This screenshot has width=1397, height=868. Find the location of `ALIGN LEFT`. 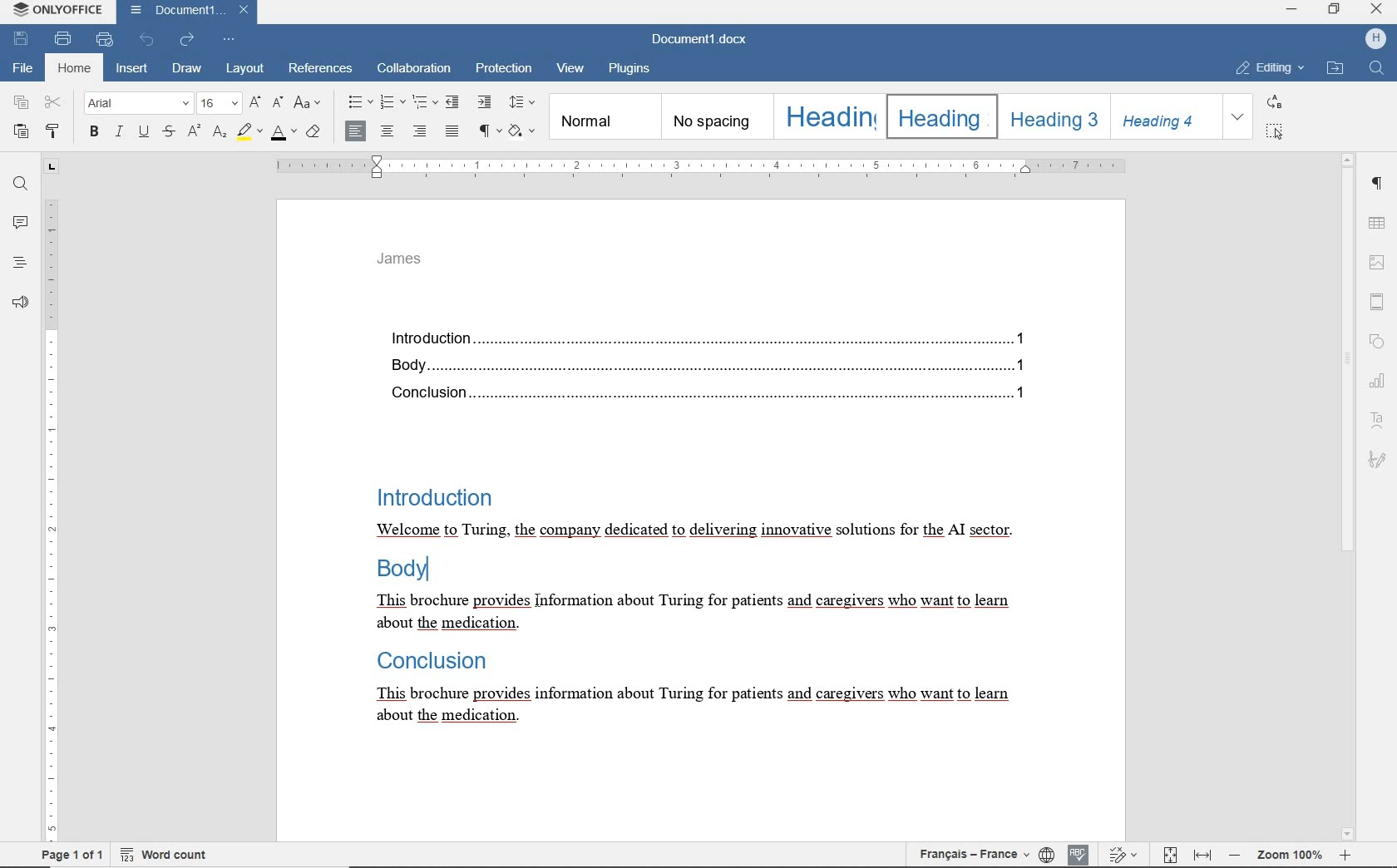

ALIGN LEFT is located at coordinates (356, 130).